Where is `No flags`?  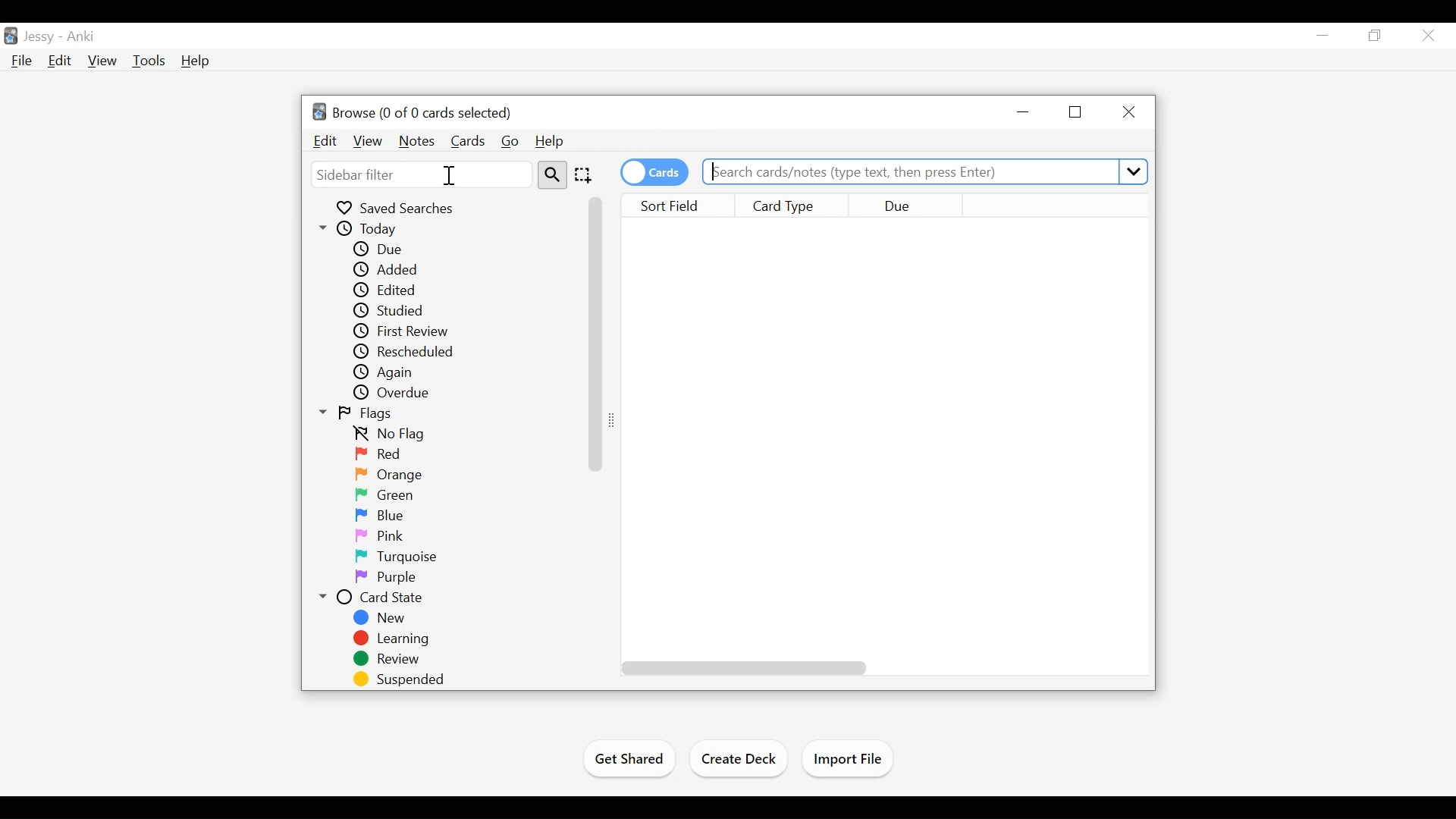 No flags is located at coordinates (393, 435).